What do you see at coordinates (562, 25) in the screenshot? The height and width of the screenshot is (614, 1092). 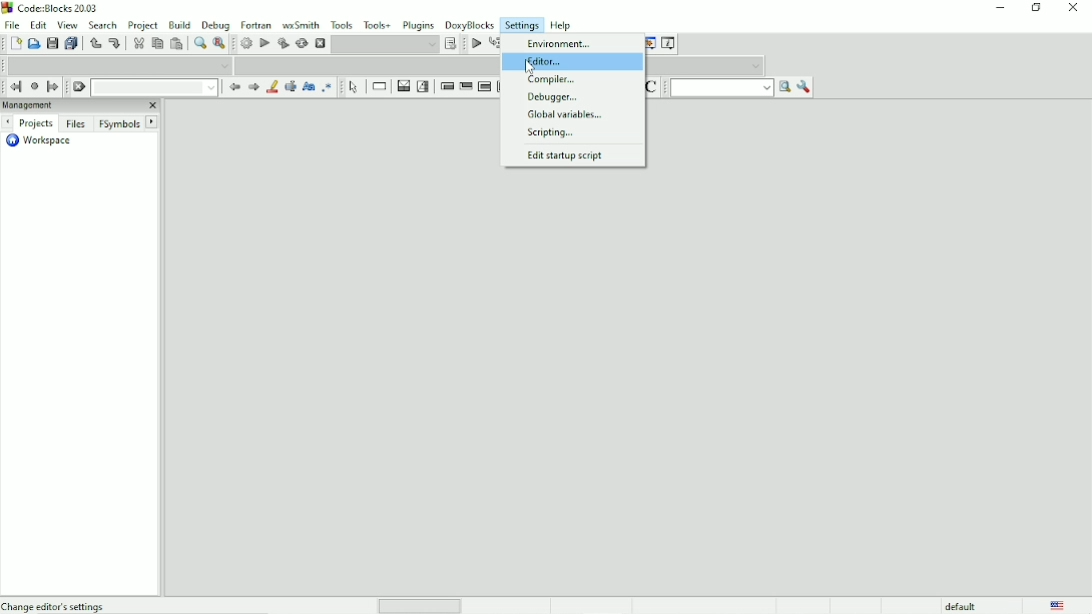 I see `Help` at bounding box center [562, 25].